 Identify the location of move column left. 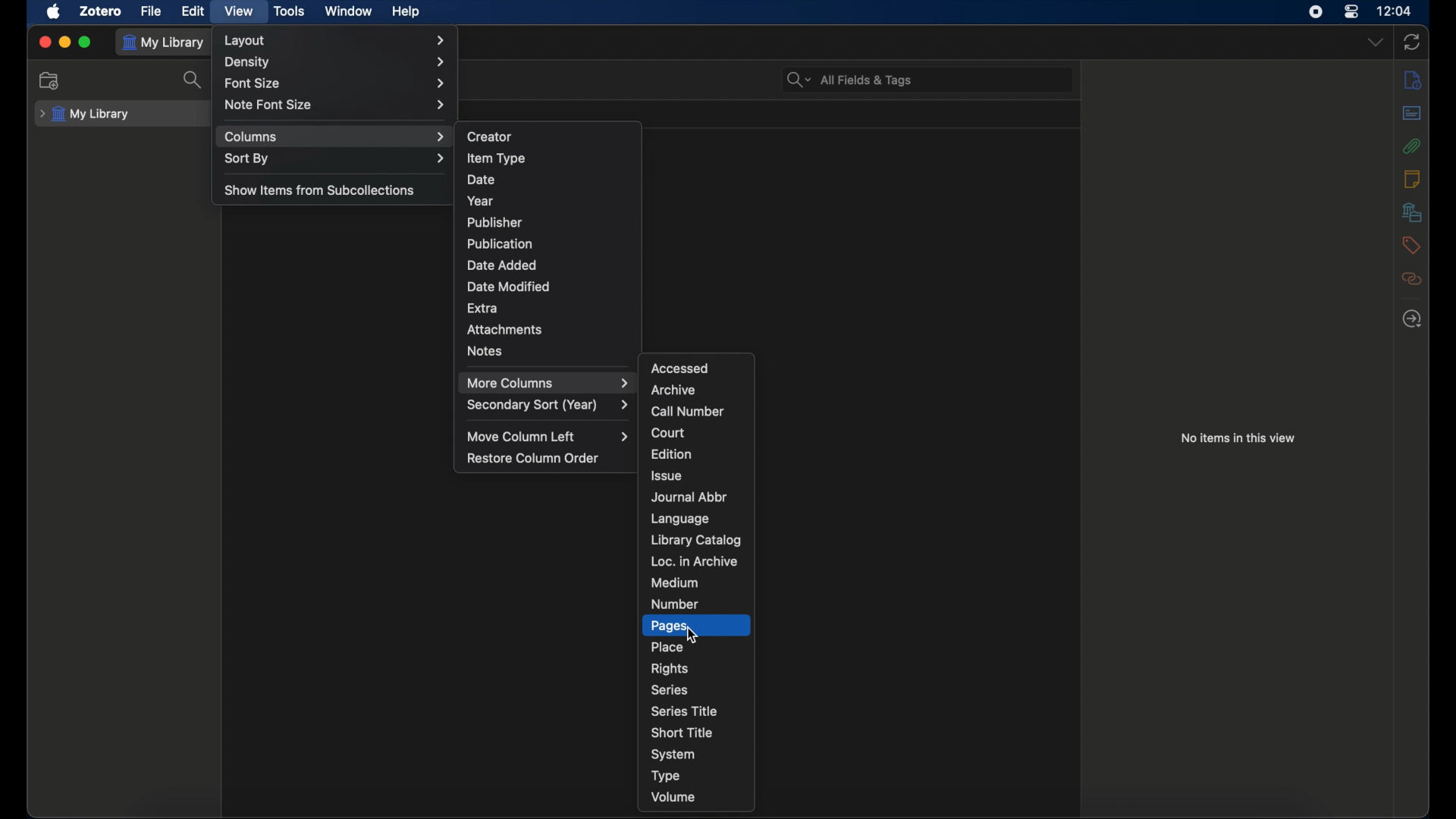
(546, 436).